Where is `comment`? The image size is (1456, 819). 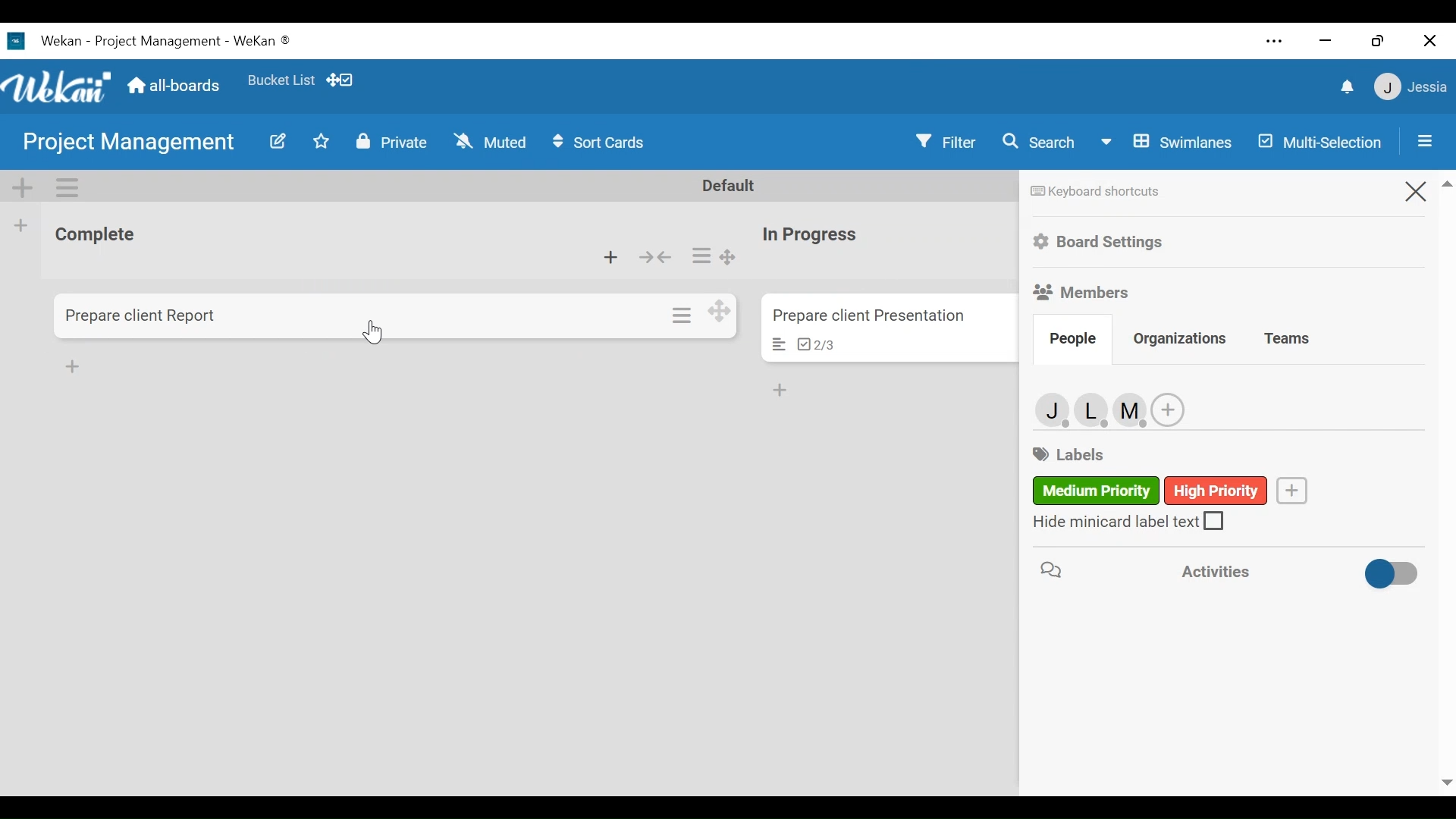 comment is located at coordinates (1050, 570).